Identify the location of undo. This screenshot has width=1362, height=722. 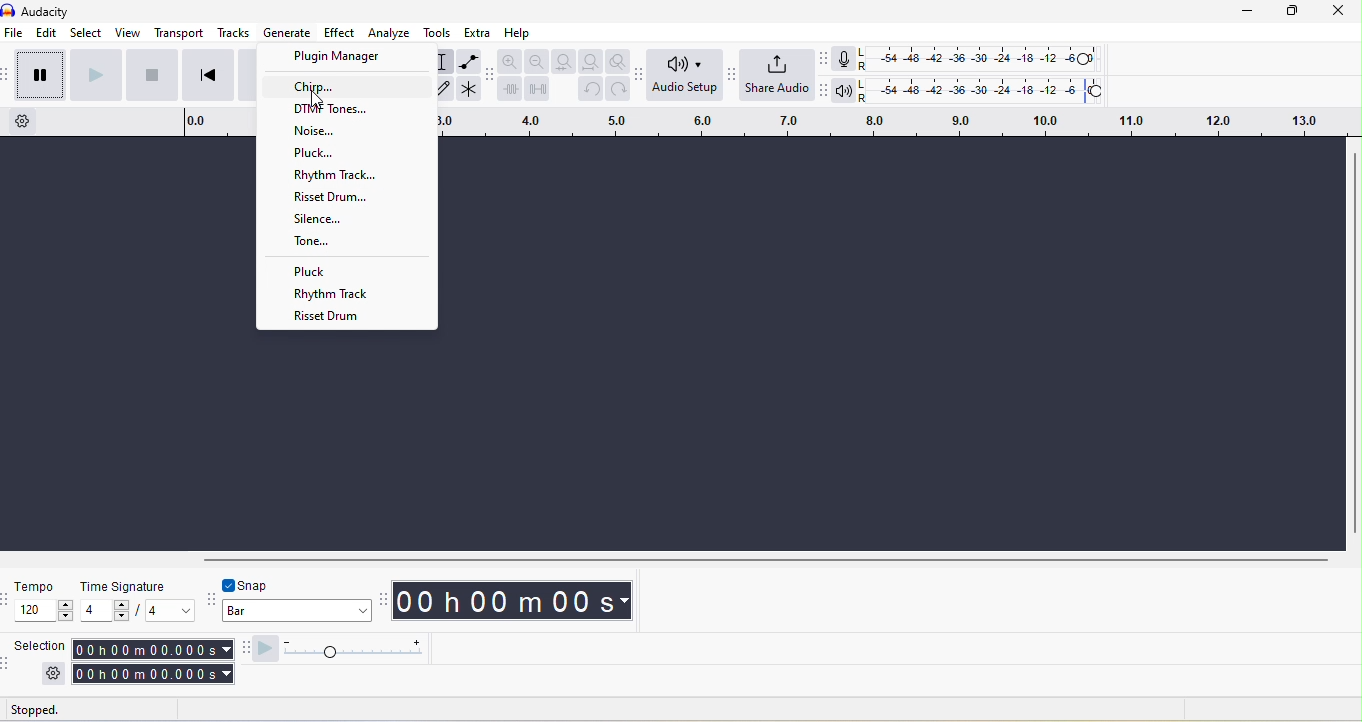
(589, 90).